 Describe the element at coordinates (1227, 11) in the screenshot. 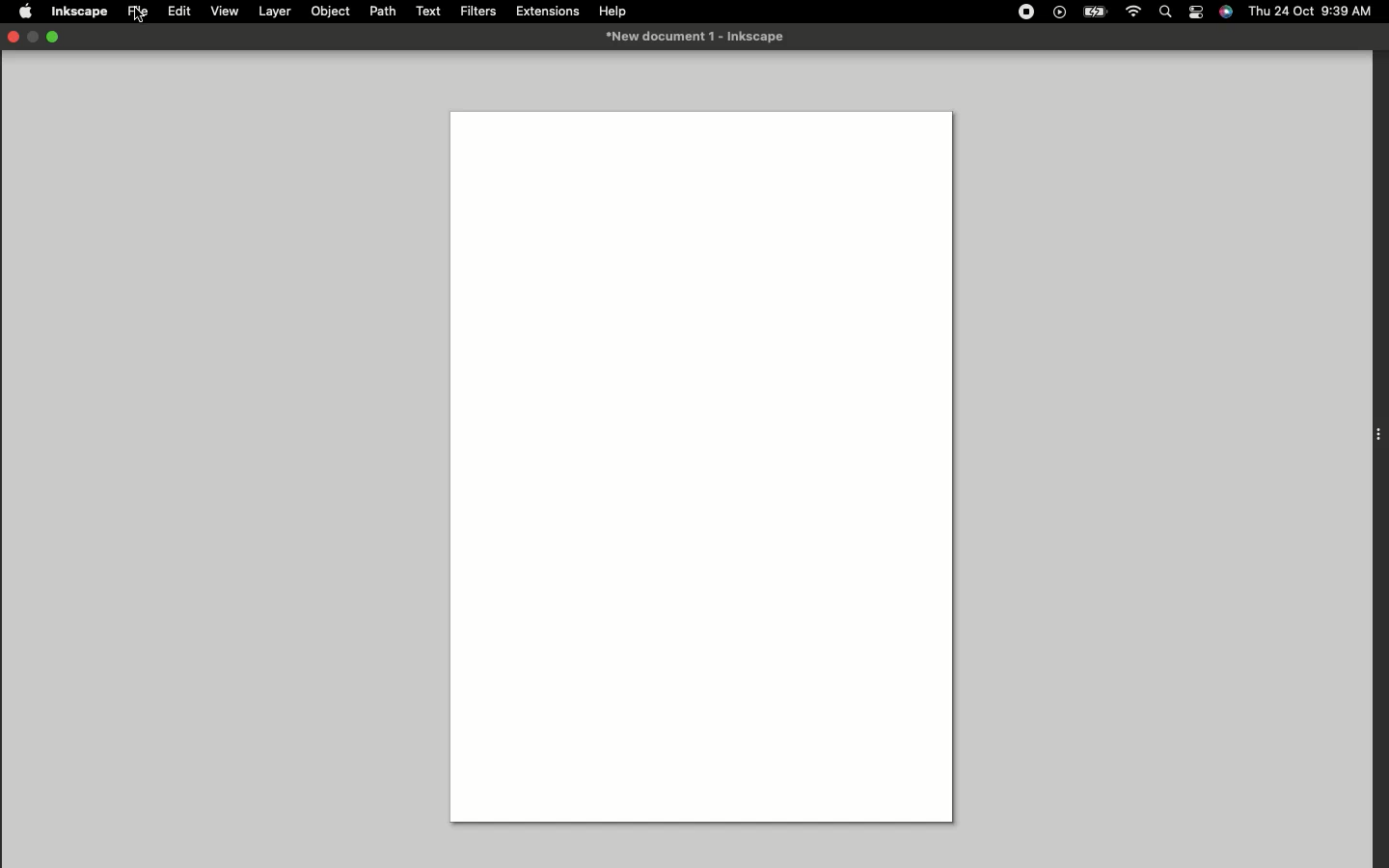

I see `Voice control` at that location.